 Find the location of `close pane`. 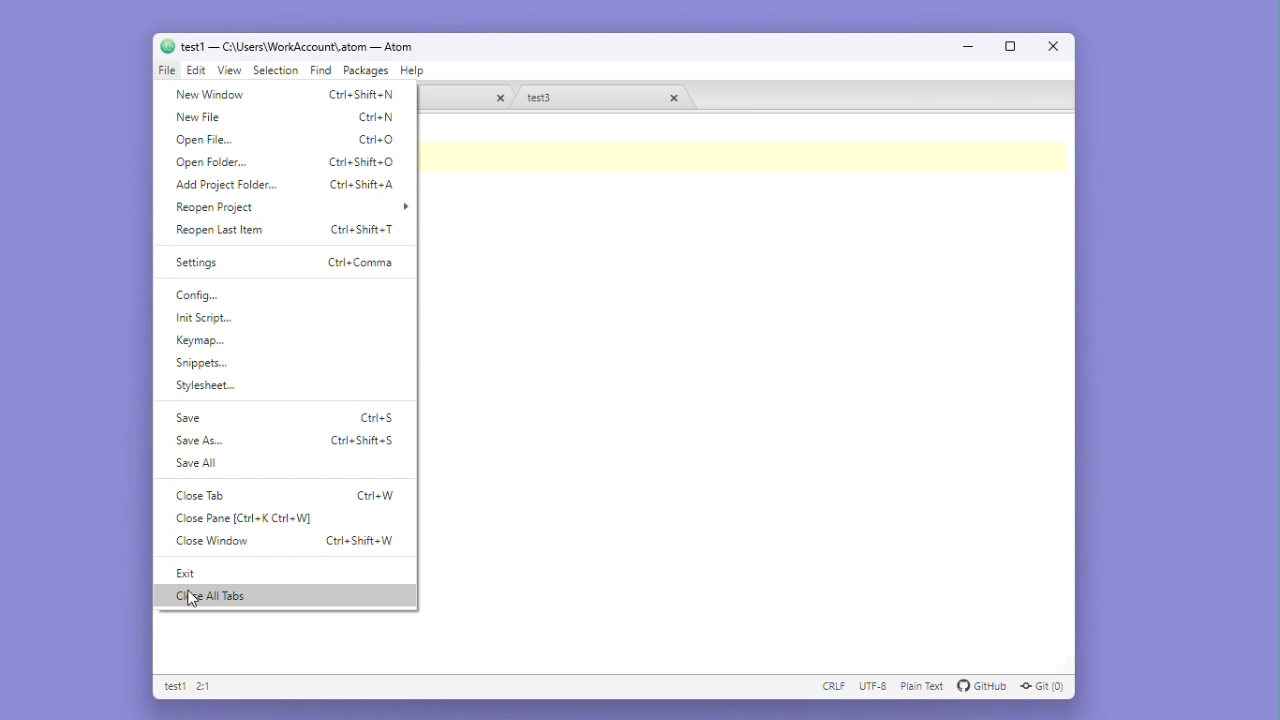

close pane is located at coordinates (250, 519).